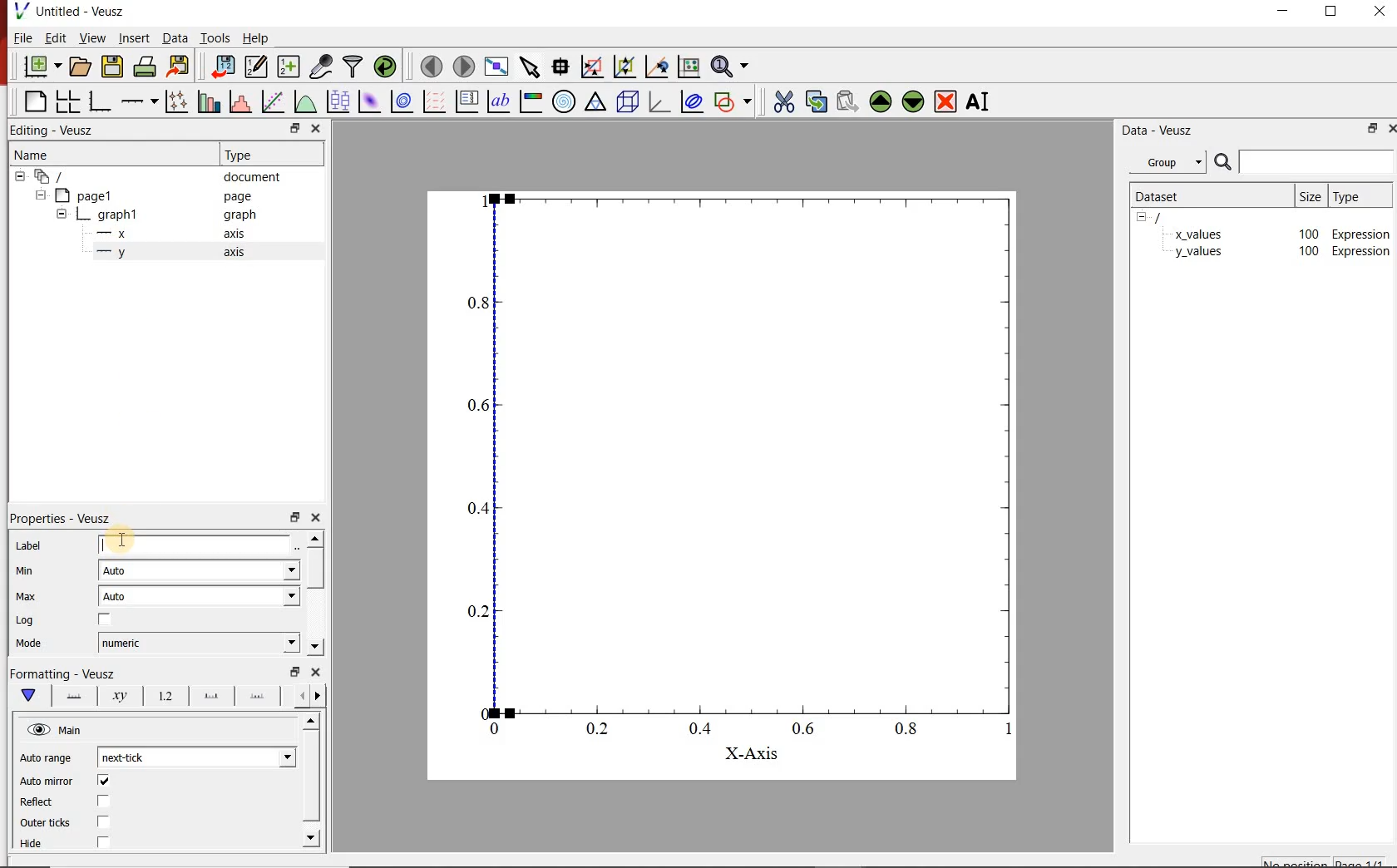 This screenshot has width=1397, height=868. I want to click on Hide, so click(32, 844).